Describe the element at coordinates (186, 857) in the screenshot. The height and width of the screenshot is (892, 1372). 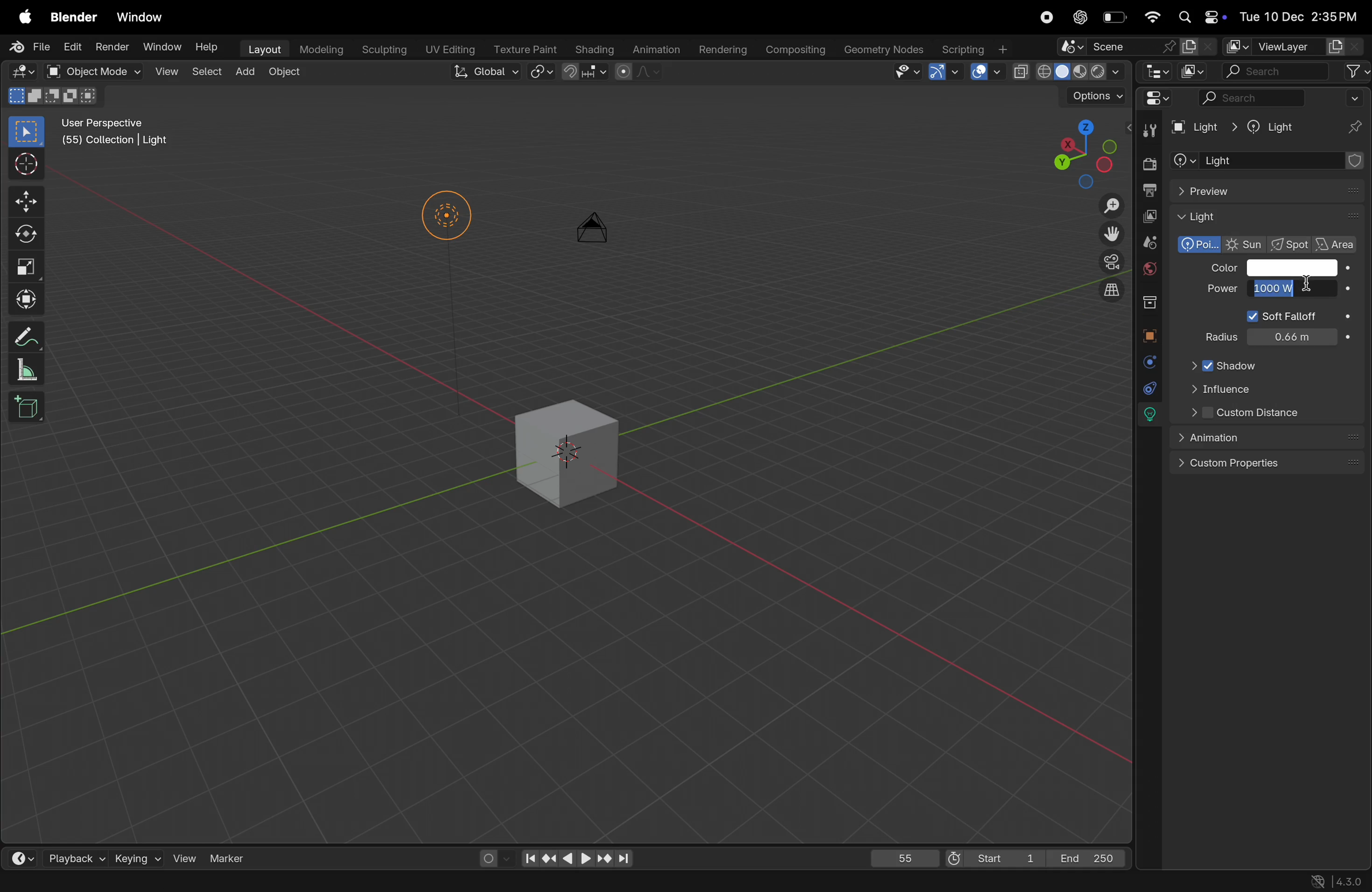
I see `view` at that location.